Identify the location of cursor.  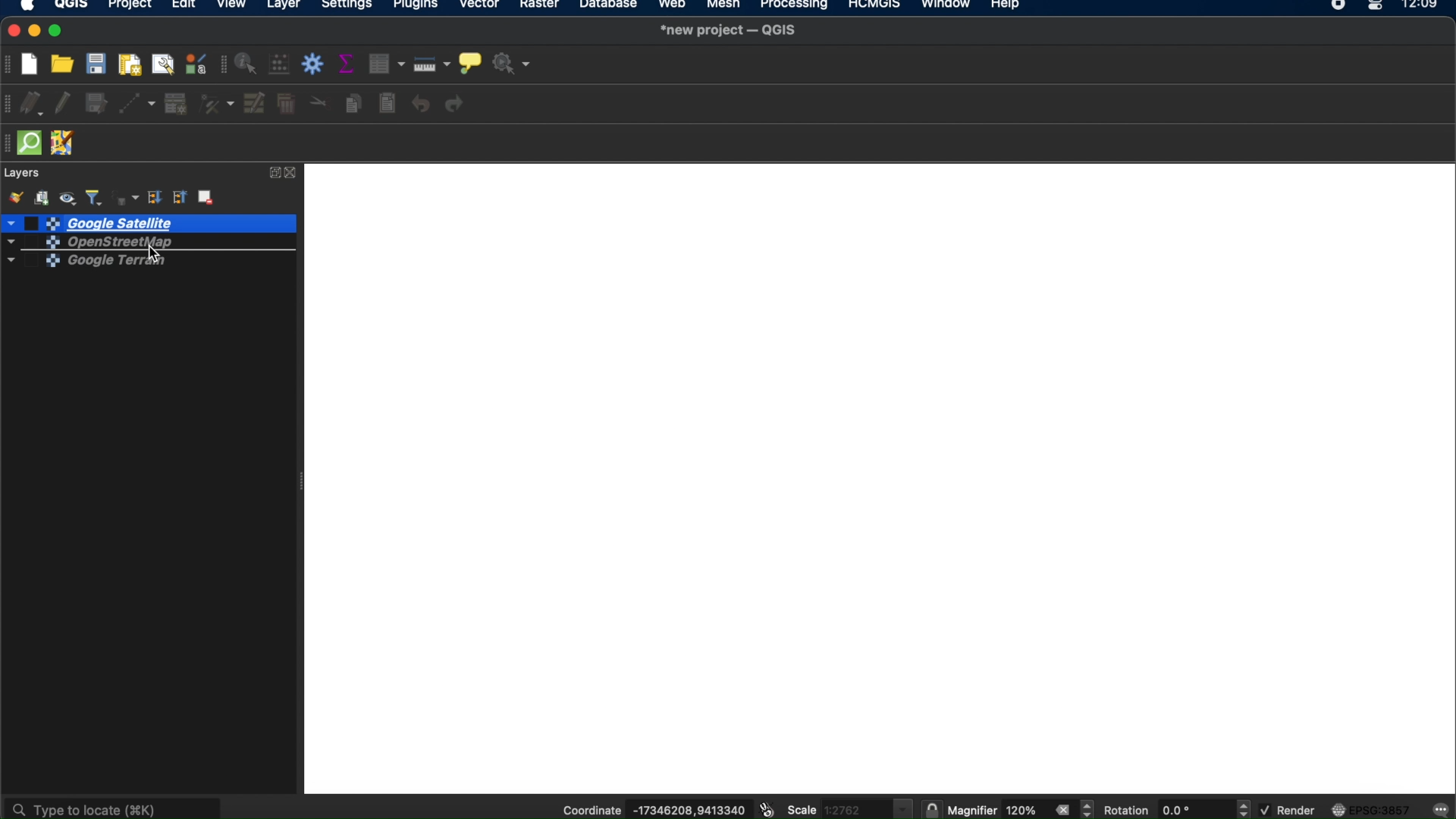
(153, 254).